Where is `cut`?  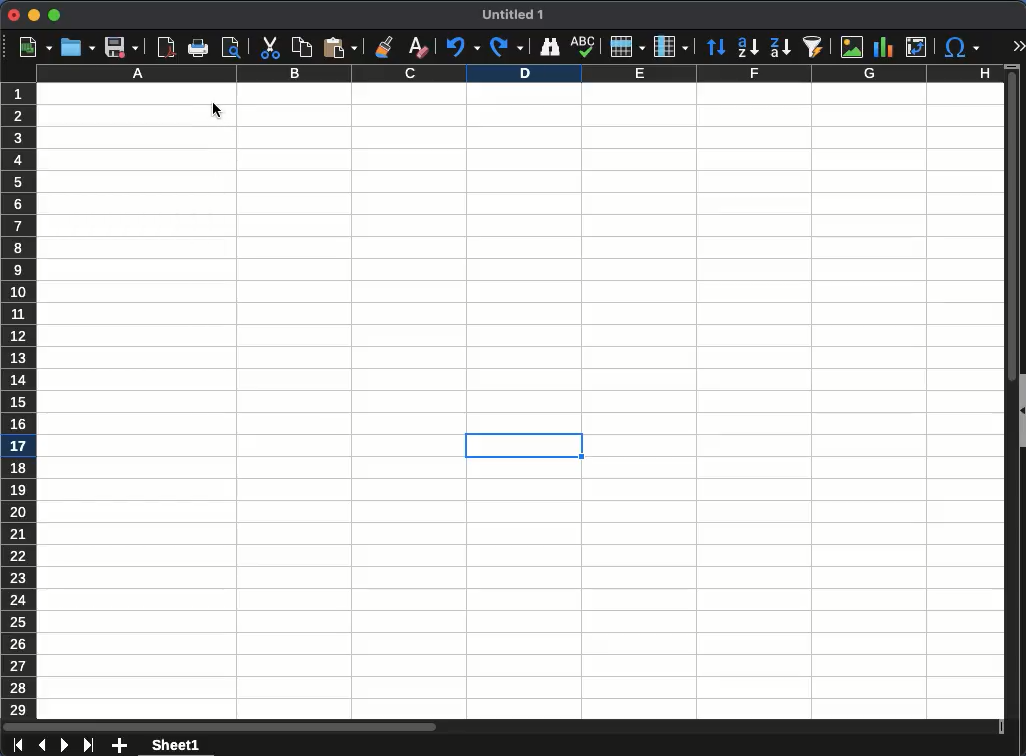 cut is located at coordinates (269, 48).